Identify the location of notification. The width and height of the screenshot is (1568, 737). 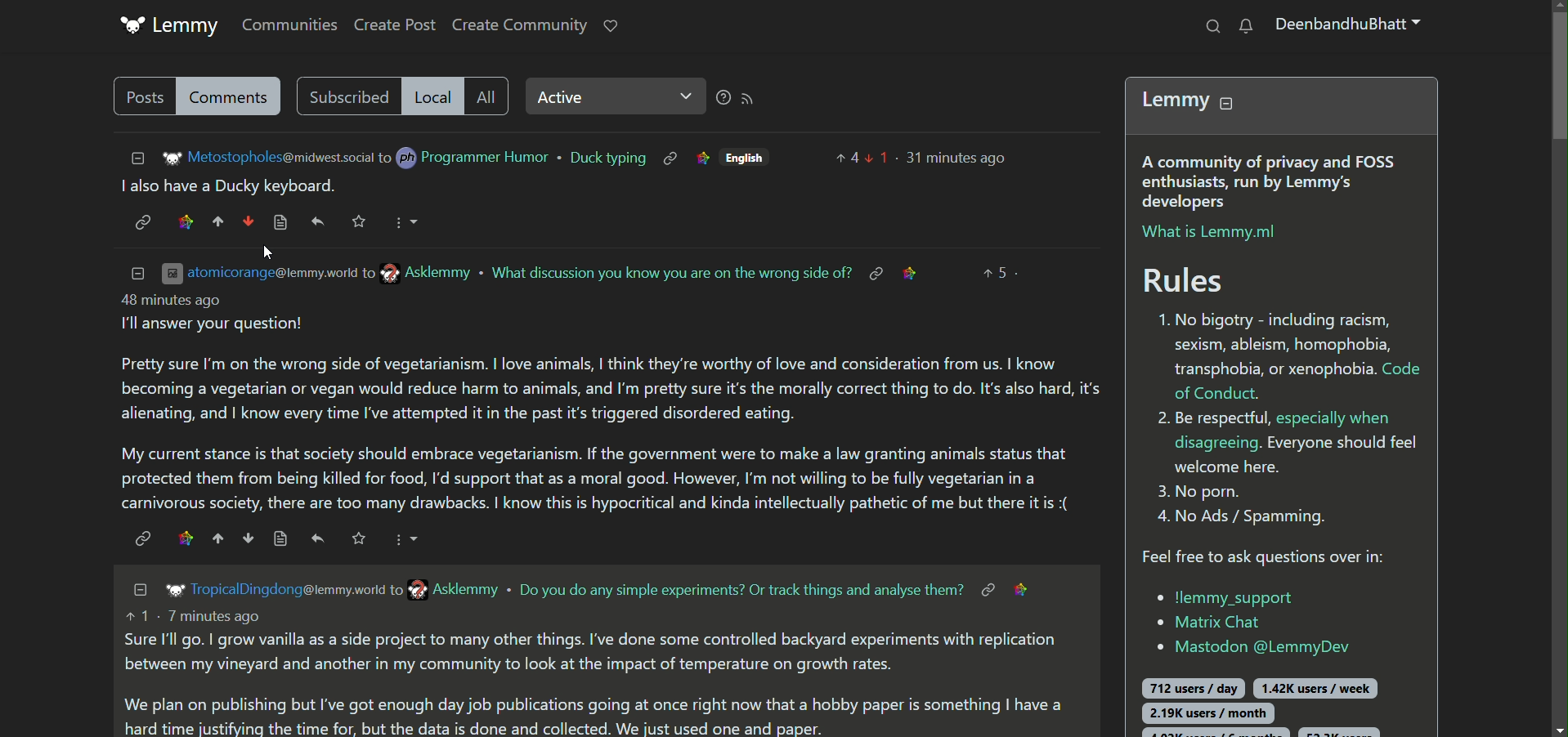
(1246, 27).